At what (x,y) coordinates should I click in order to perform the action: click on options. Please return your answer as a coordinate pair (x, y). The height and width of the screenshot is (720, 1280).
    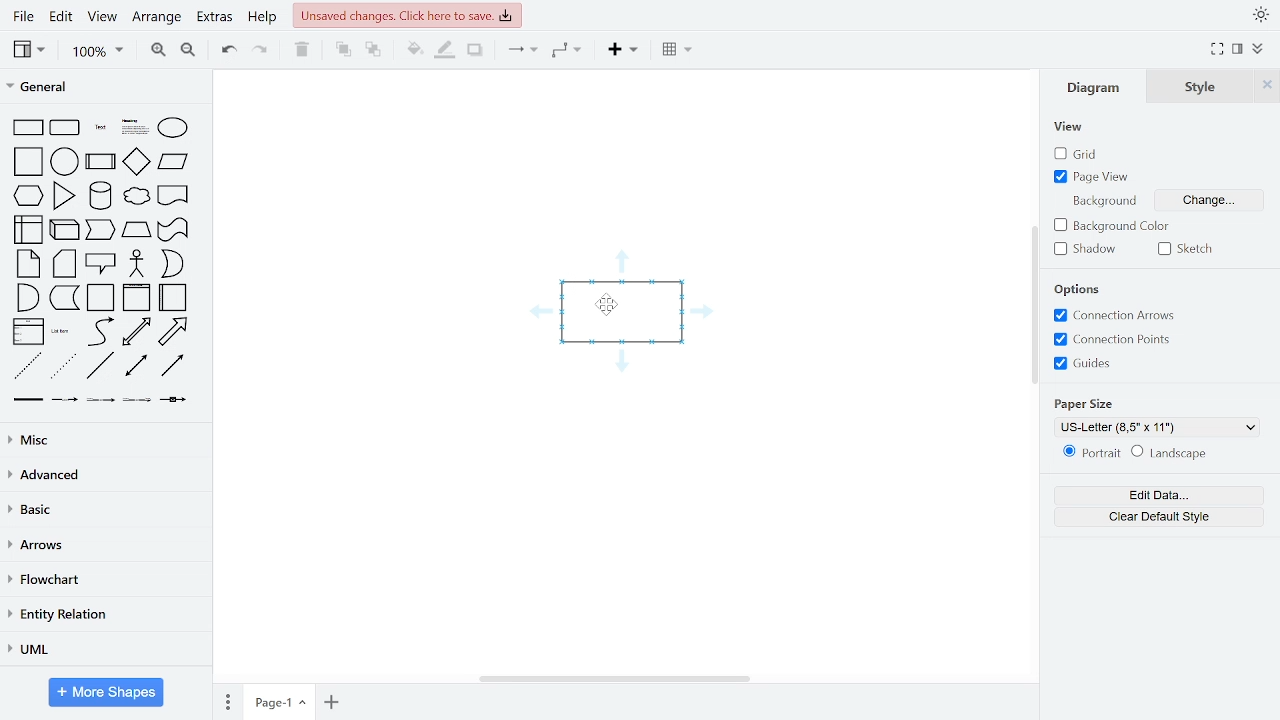
    Looking at the image, I should click on (1081, 290).